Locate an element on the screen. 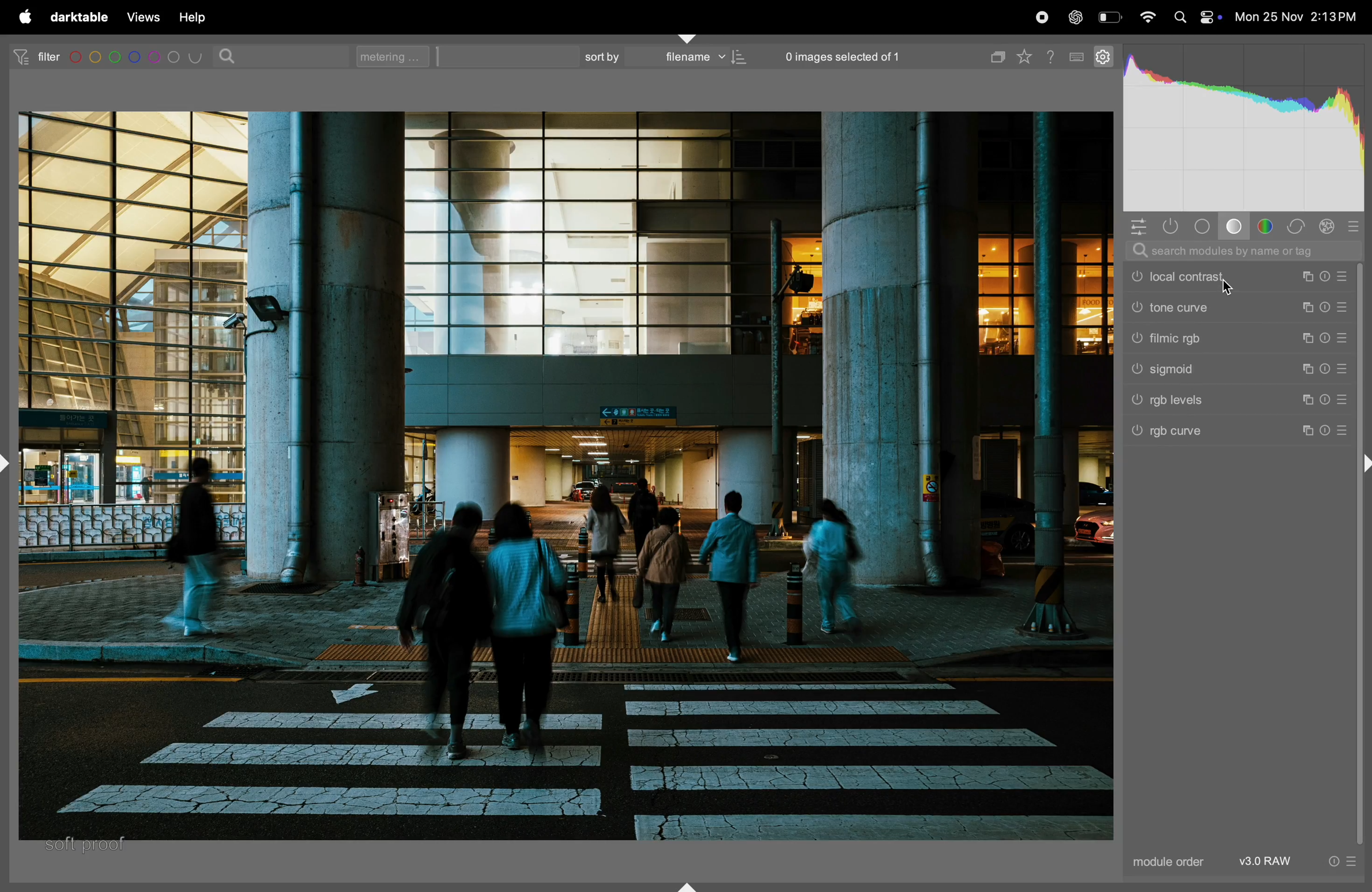  reset is located at coordinates (1328, 277).